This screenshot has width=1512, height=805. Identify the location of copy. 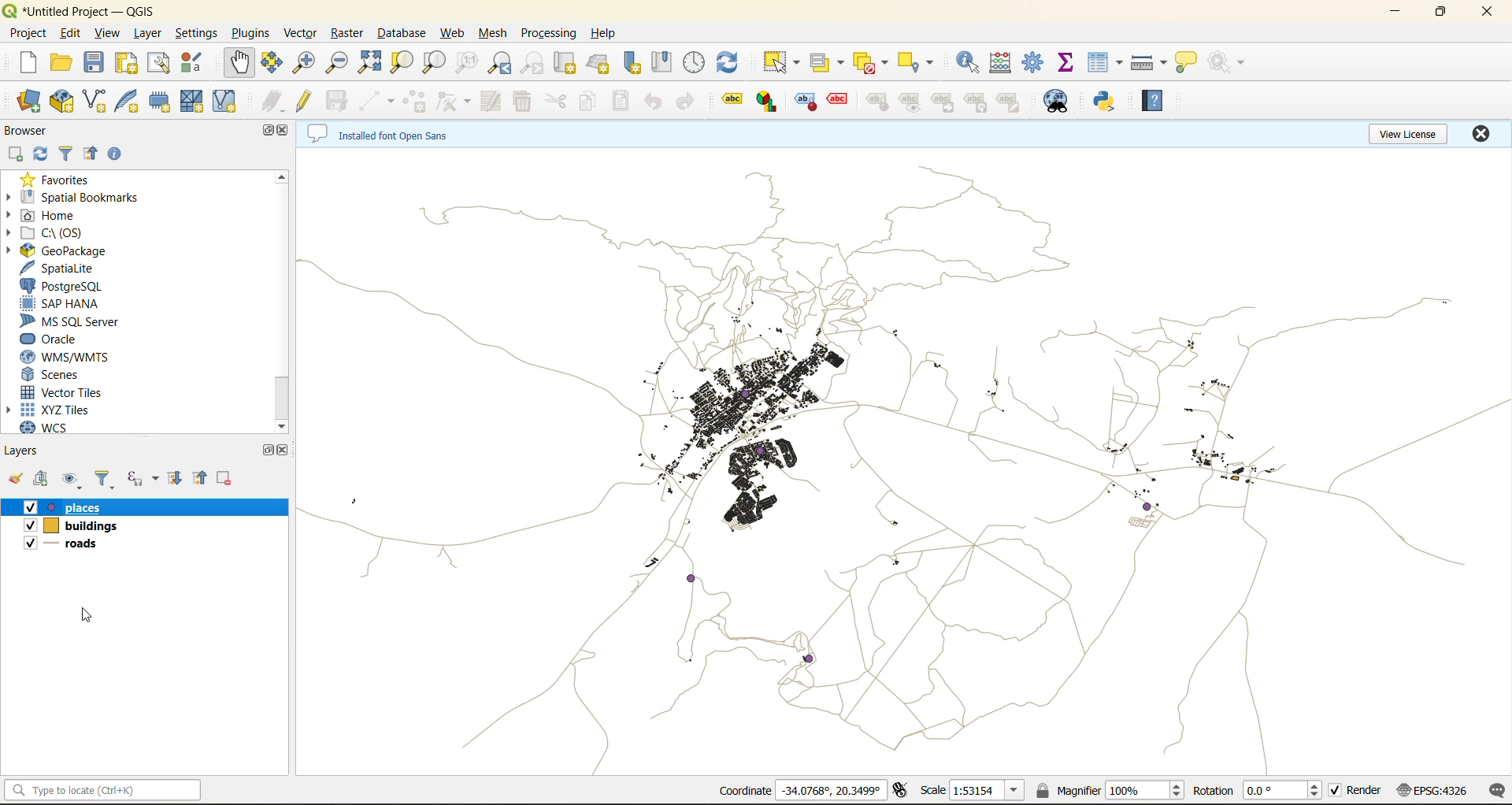
(589, 102).